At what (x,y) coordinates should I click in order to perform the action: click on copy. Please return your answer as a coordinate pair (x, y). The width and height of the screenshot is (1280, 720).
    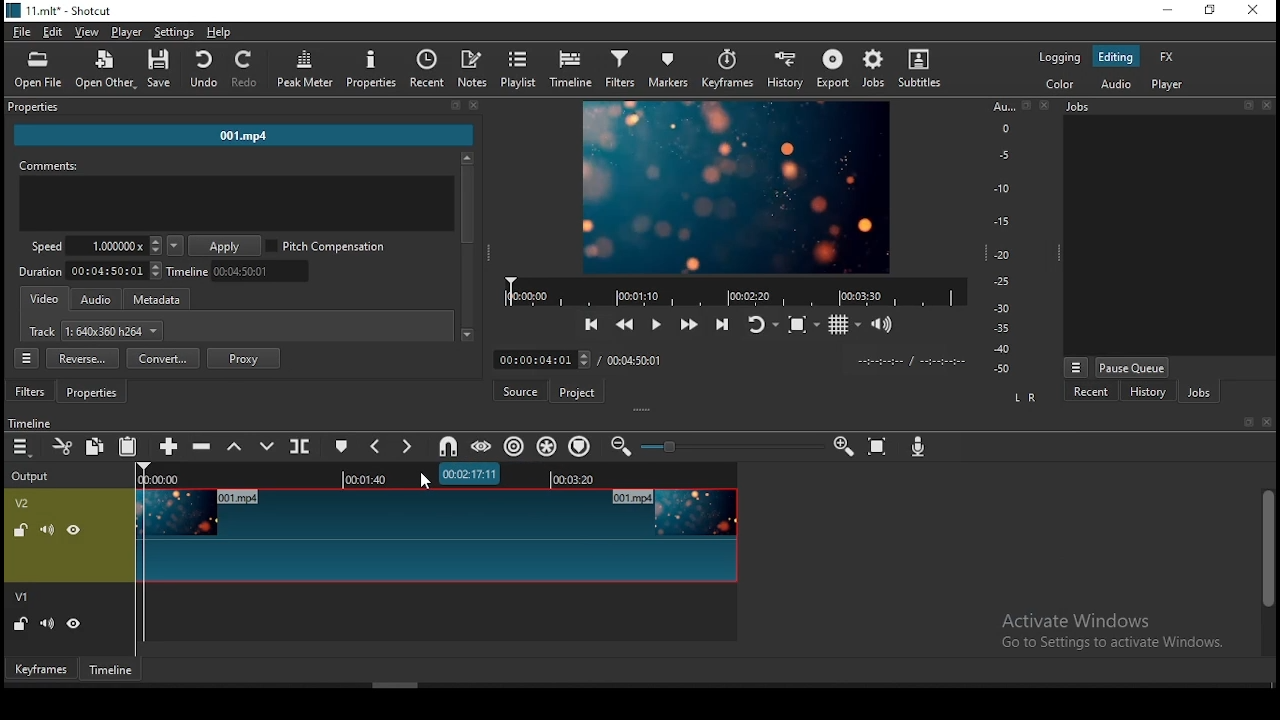
    Looking at the image, I should click on (95, 447).